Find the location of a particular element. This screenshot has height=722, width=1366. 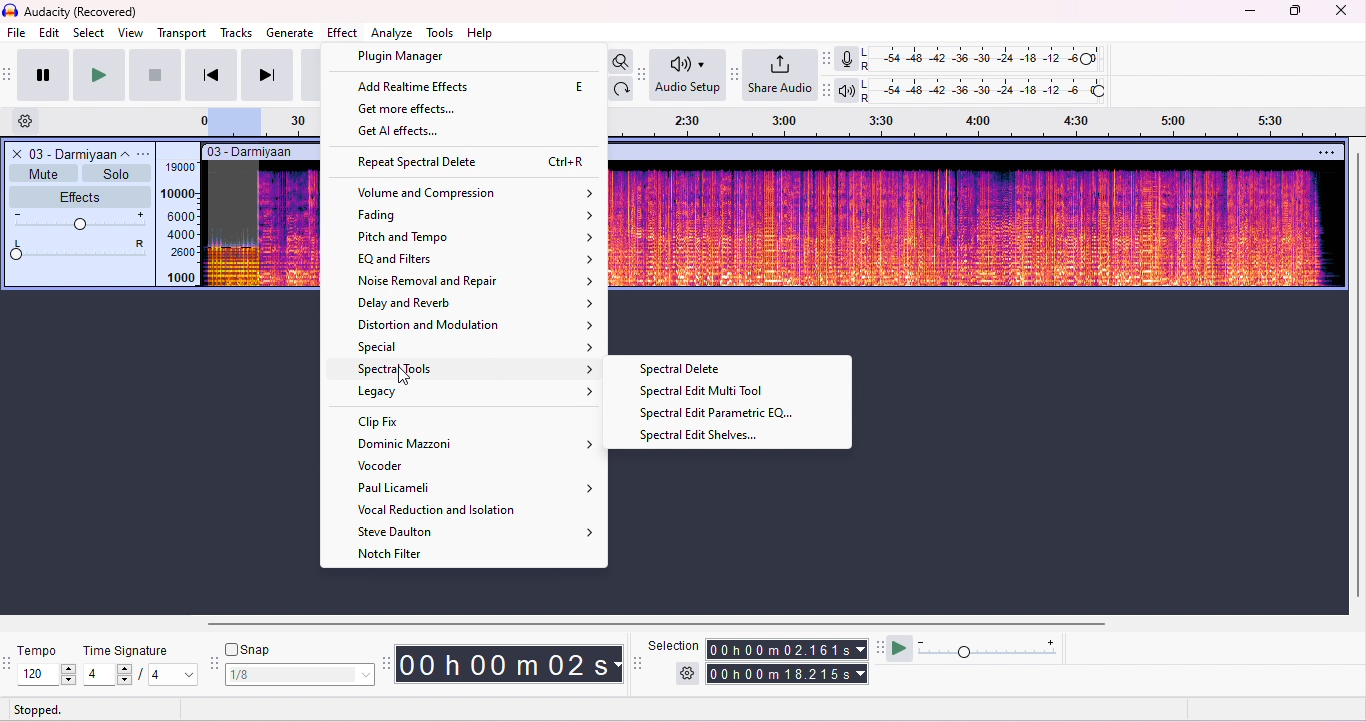

selection time is located at coordinates (789, 649).